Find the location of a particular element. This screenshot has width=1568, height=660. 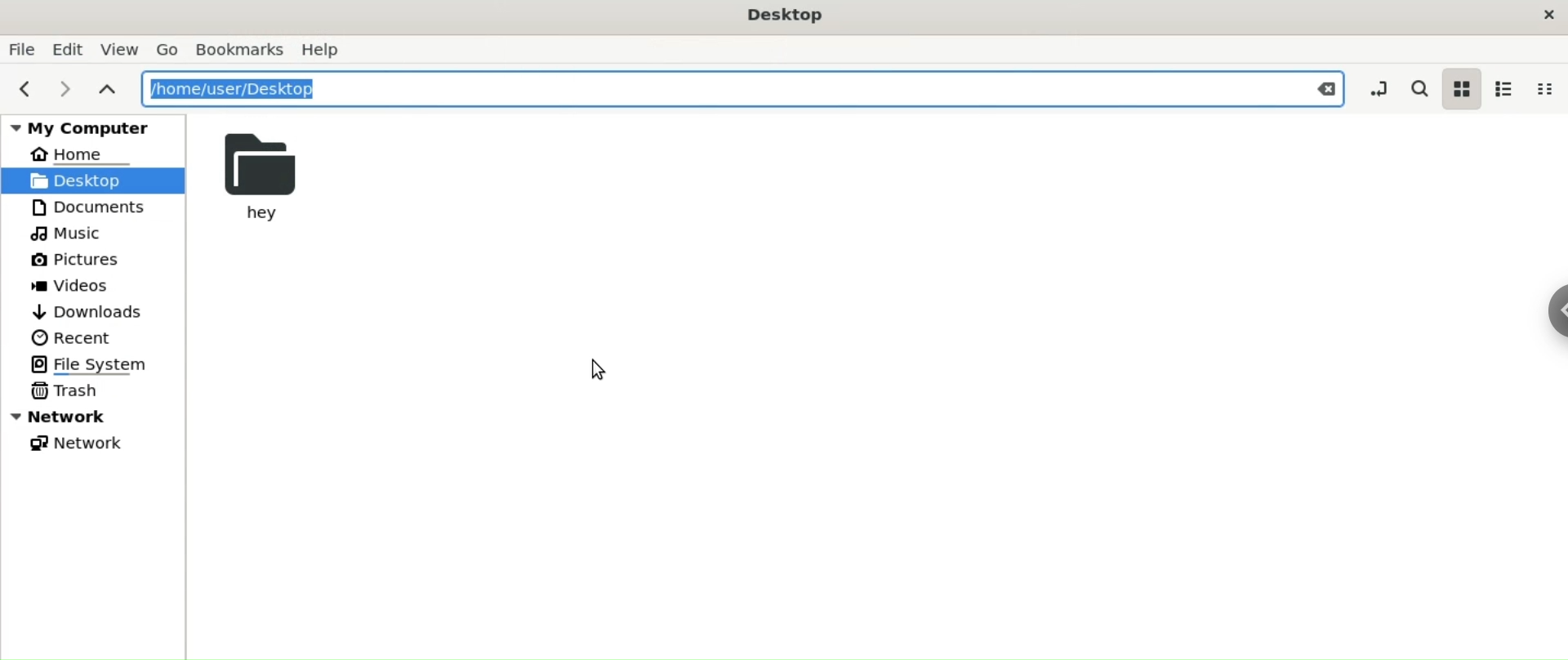

File System is located at coordinates (88, 363).